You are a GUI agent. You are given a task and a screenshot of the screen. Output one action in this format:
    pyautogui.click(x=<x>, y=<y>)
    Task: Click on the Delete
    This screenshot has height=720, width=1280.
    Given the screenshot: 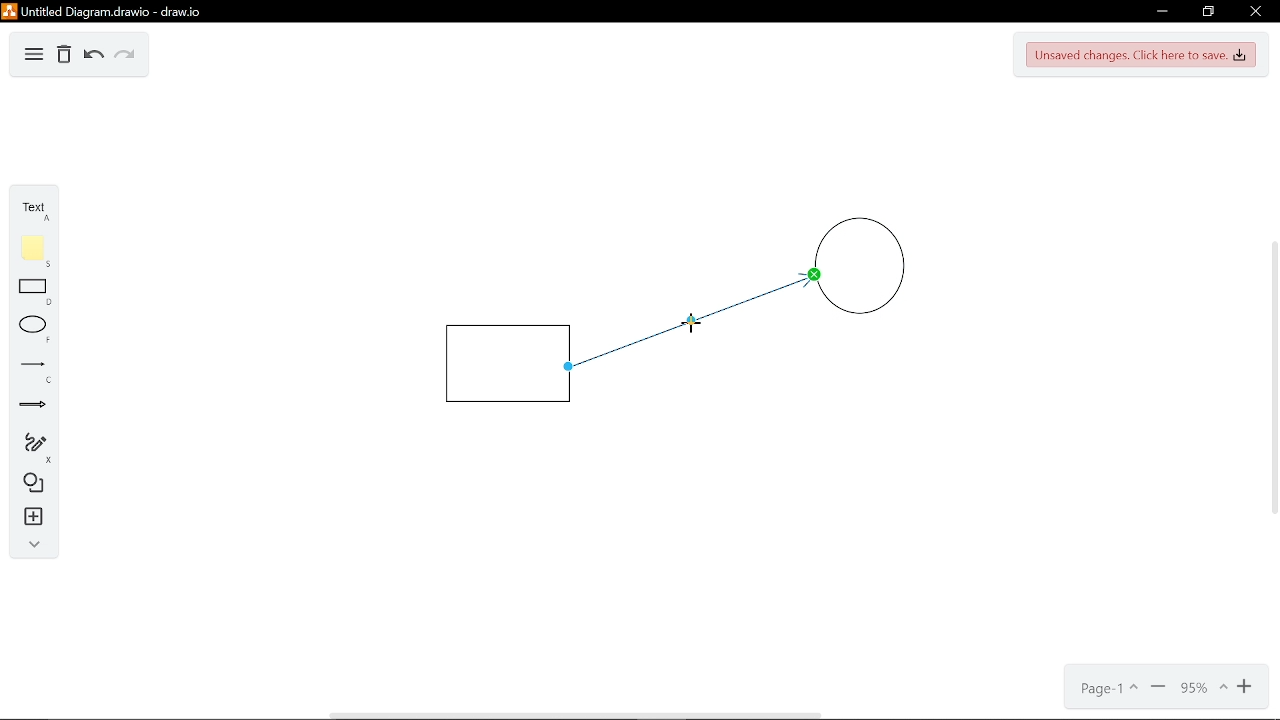 What is the action you would take?
    pyautogui.click(x=64, y=56)
    